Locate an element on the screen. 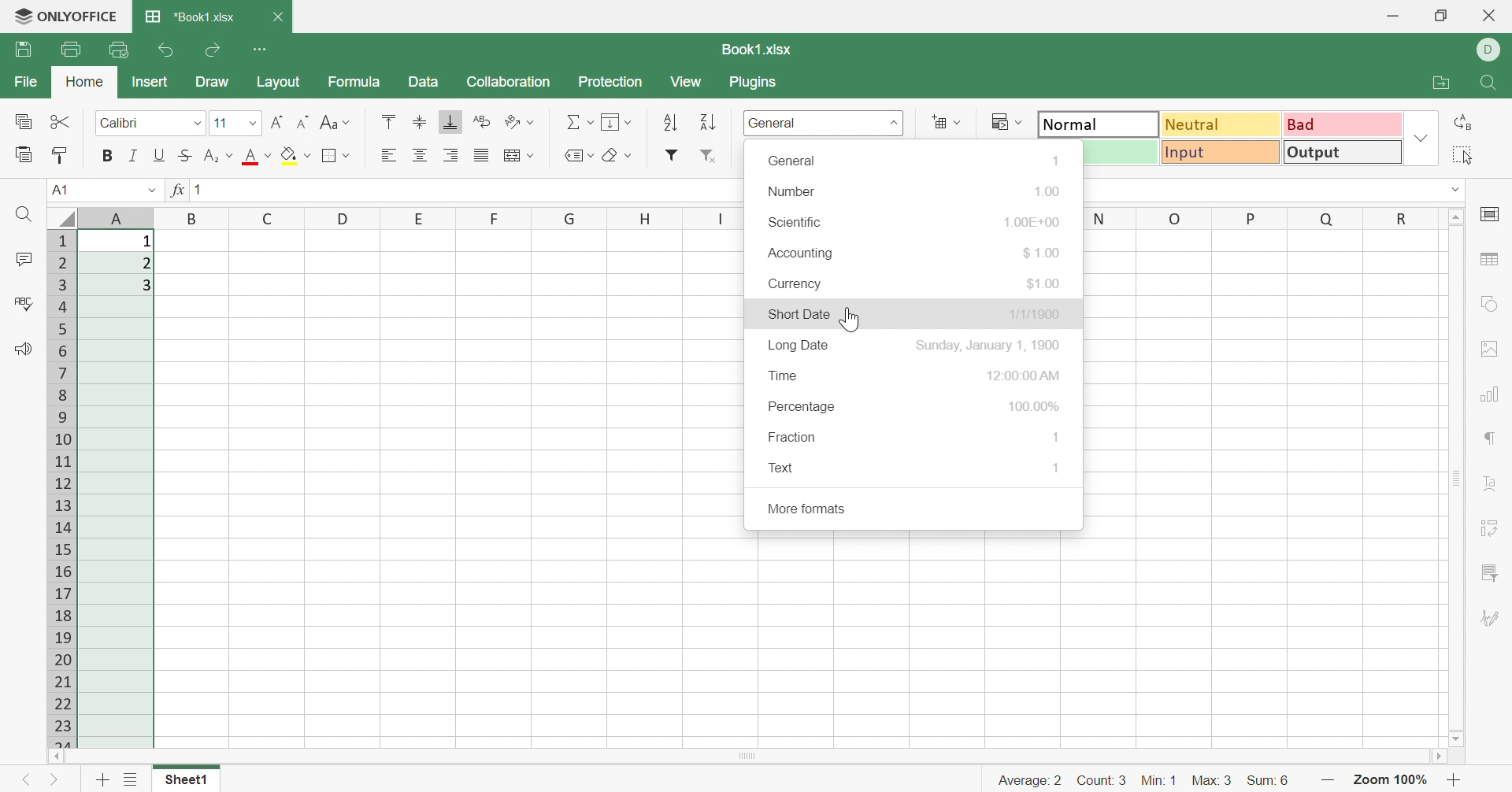  Column names is located at coordinates (421, 218).